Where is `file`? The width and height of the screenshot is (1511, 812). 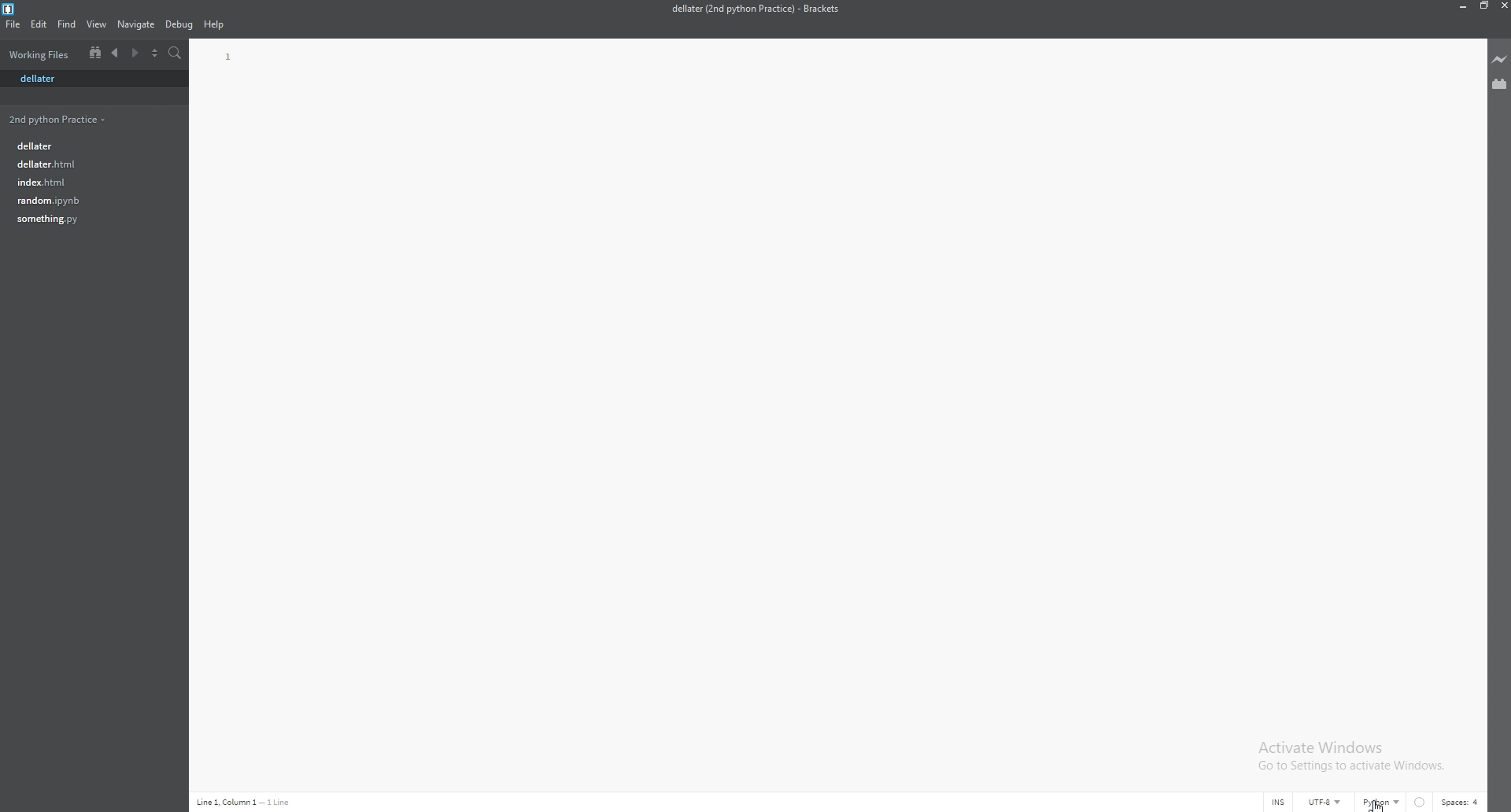
file is located at coordinates (87, 164).